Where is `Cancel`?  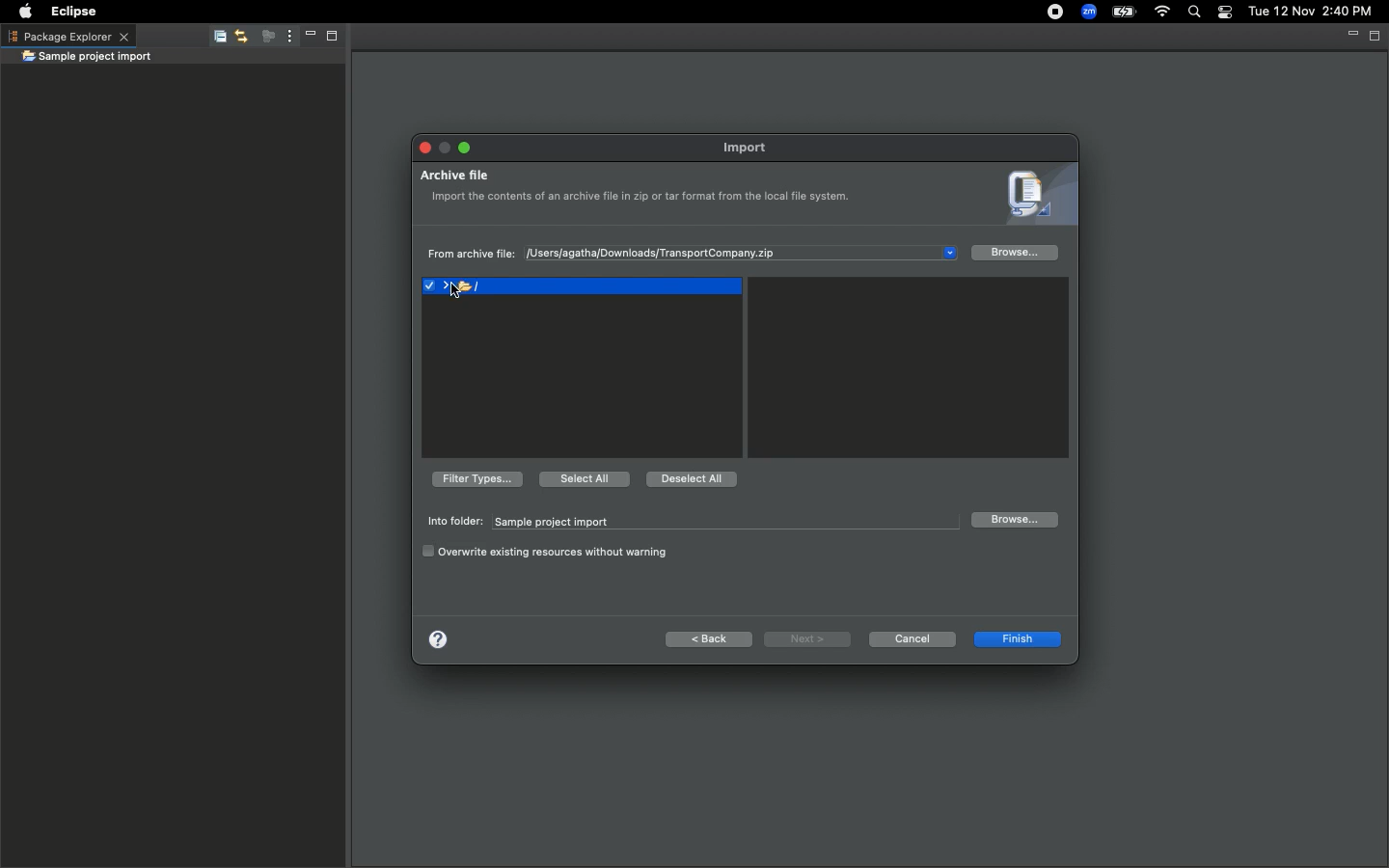 Cancel is located at coordinates (912, 638).